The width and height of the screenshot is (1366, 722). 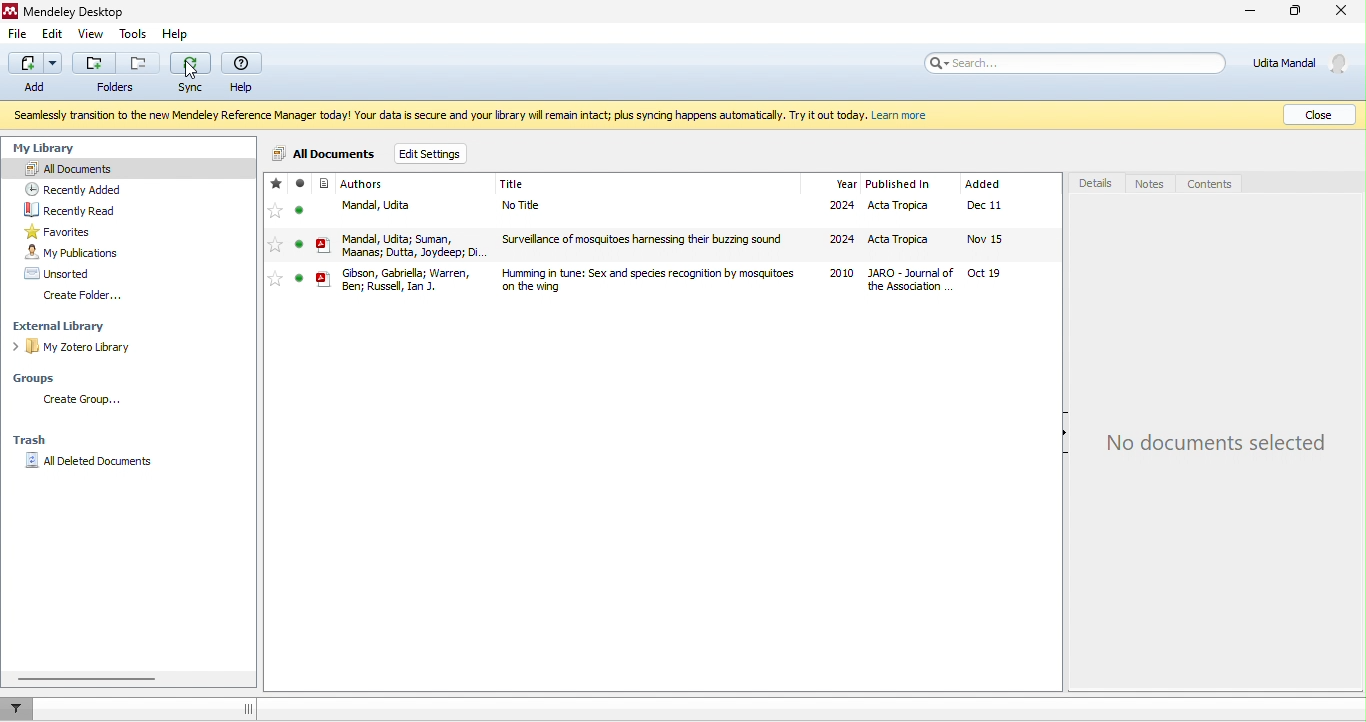 What do you see at coordinates (37, 74) in the screenshot?
I see `add` at bounding box center [37, 74].